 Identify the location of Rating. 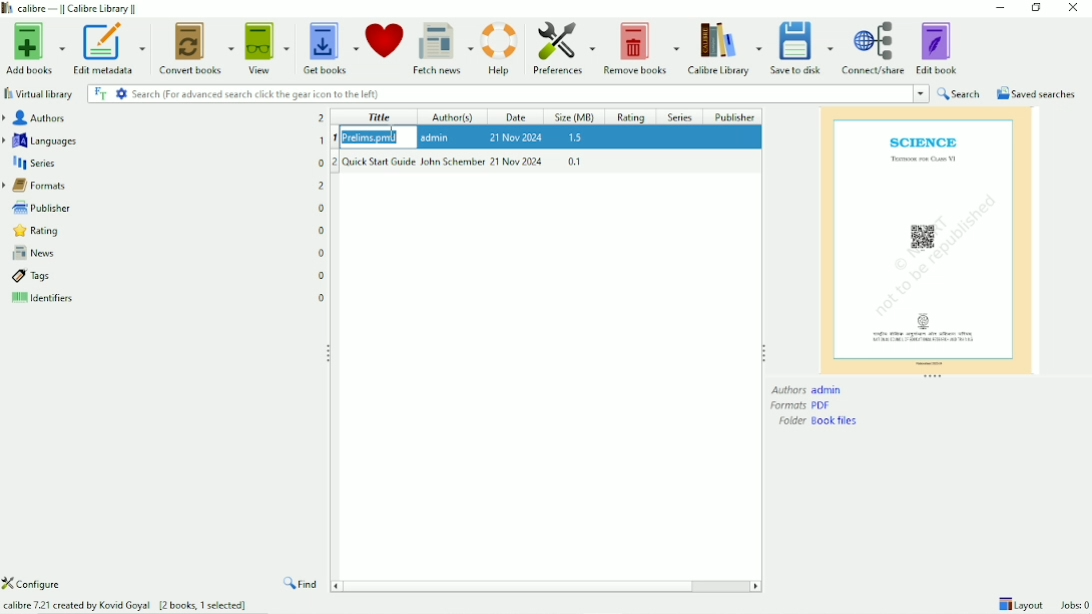
(634, 116).